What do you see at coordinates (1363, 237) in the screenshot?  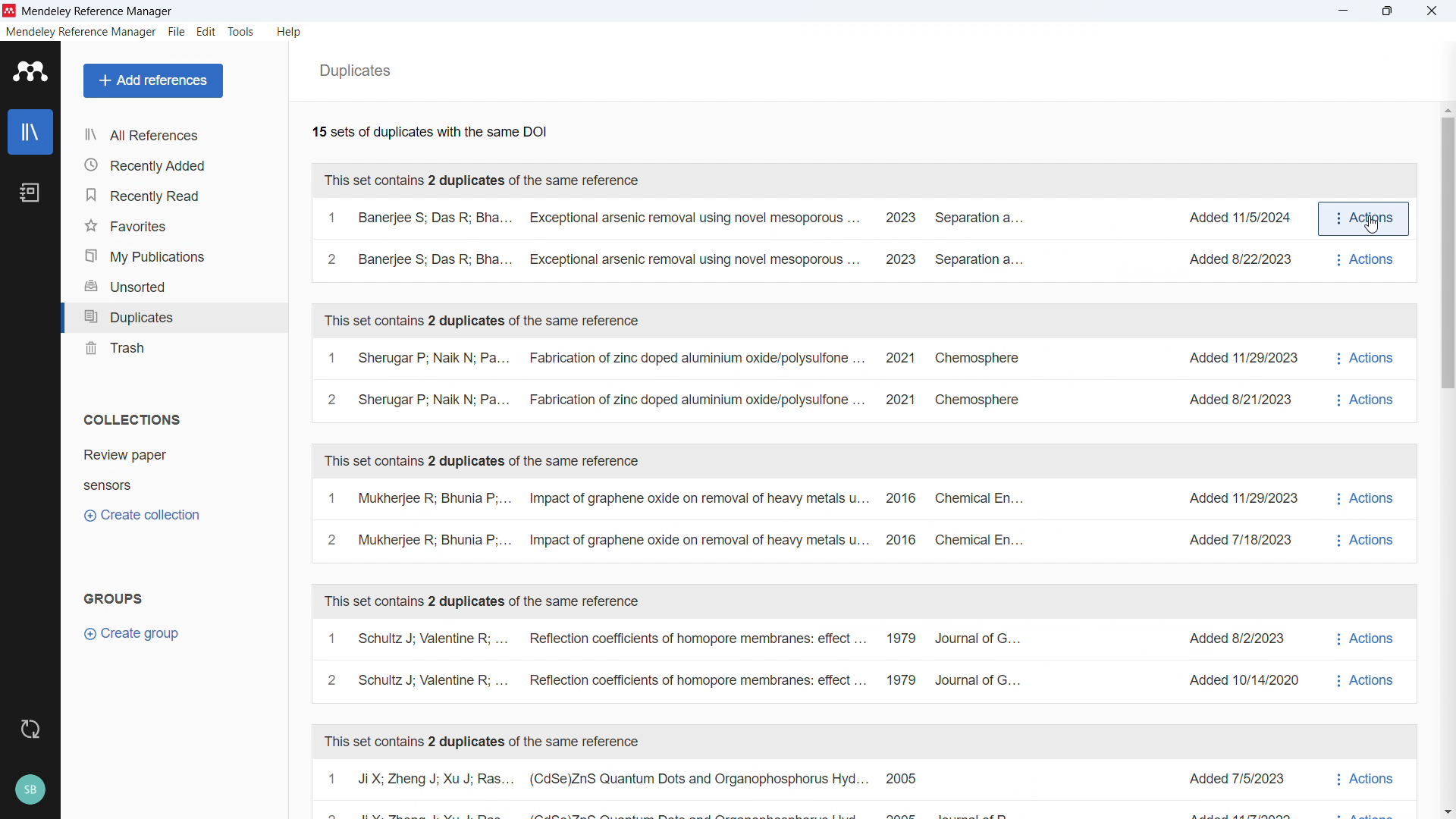 I see `actions ` at bounding box center [1363, 237].